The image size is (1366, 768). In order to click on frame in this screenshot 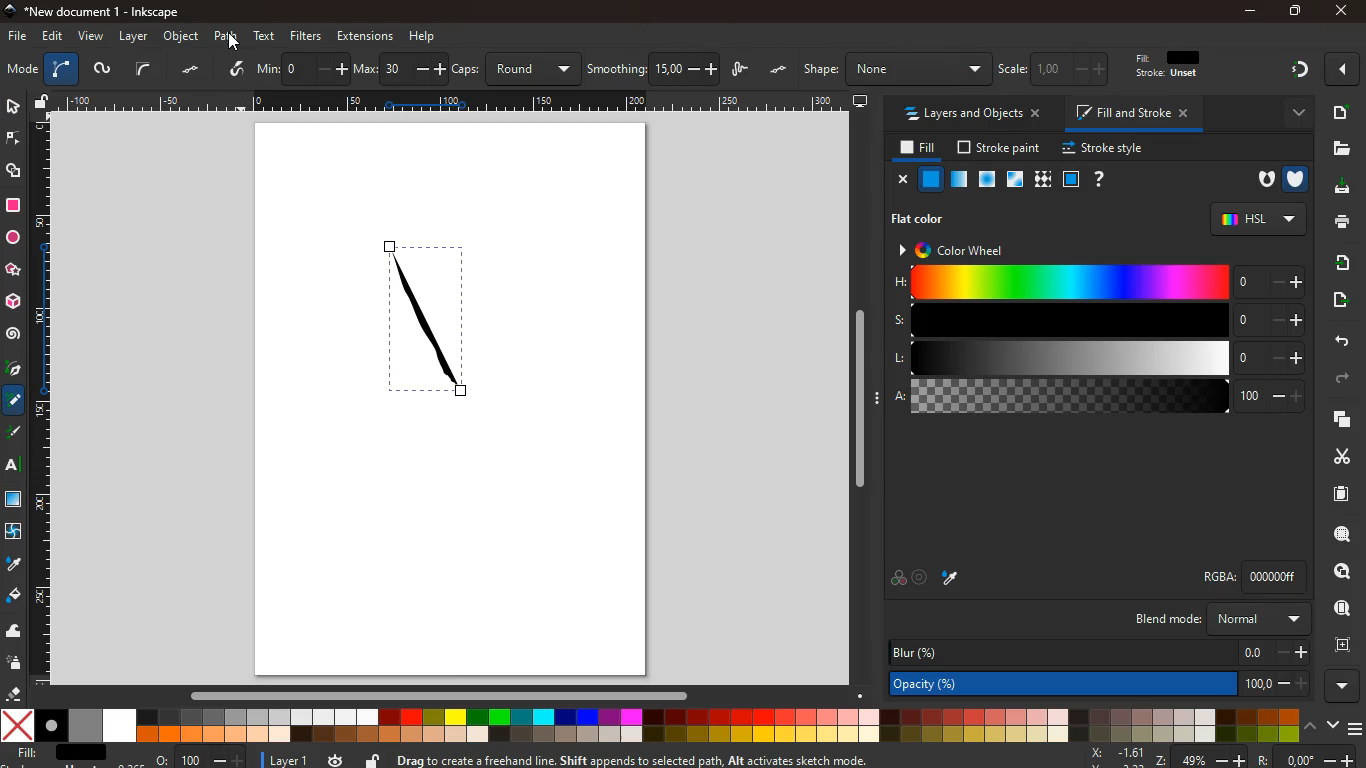, I will do `click(1344, 572)`.